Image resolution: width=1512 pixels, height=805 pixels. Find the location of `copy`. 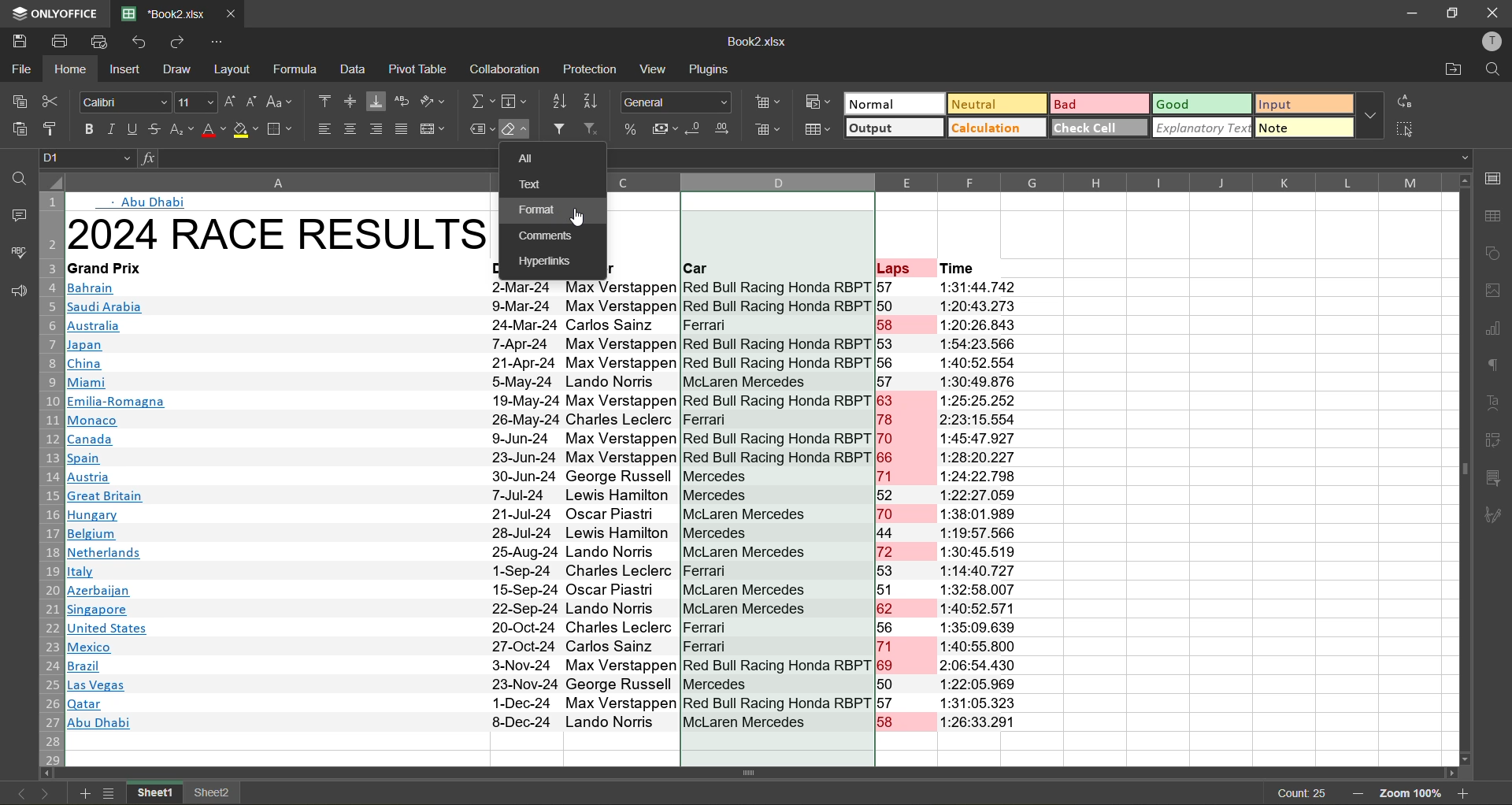

copy is located at coordinates (16, 102).